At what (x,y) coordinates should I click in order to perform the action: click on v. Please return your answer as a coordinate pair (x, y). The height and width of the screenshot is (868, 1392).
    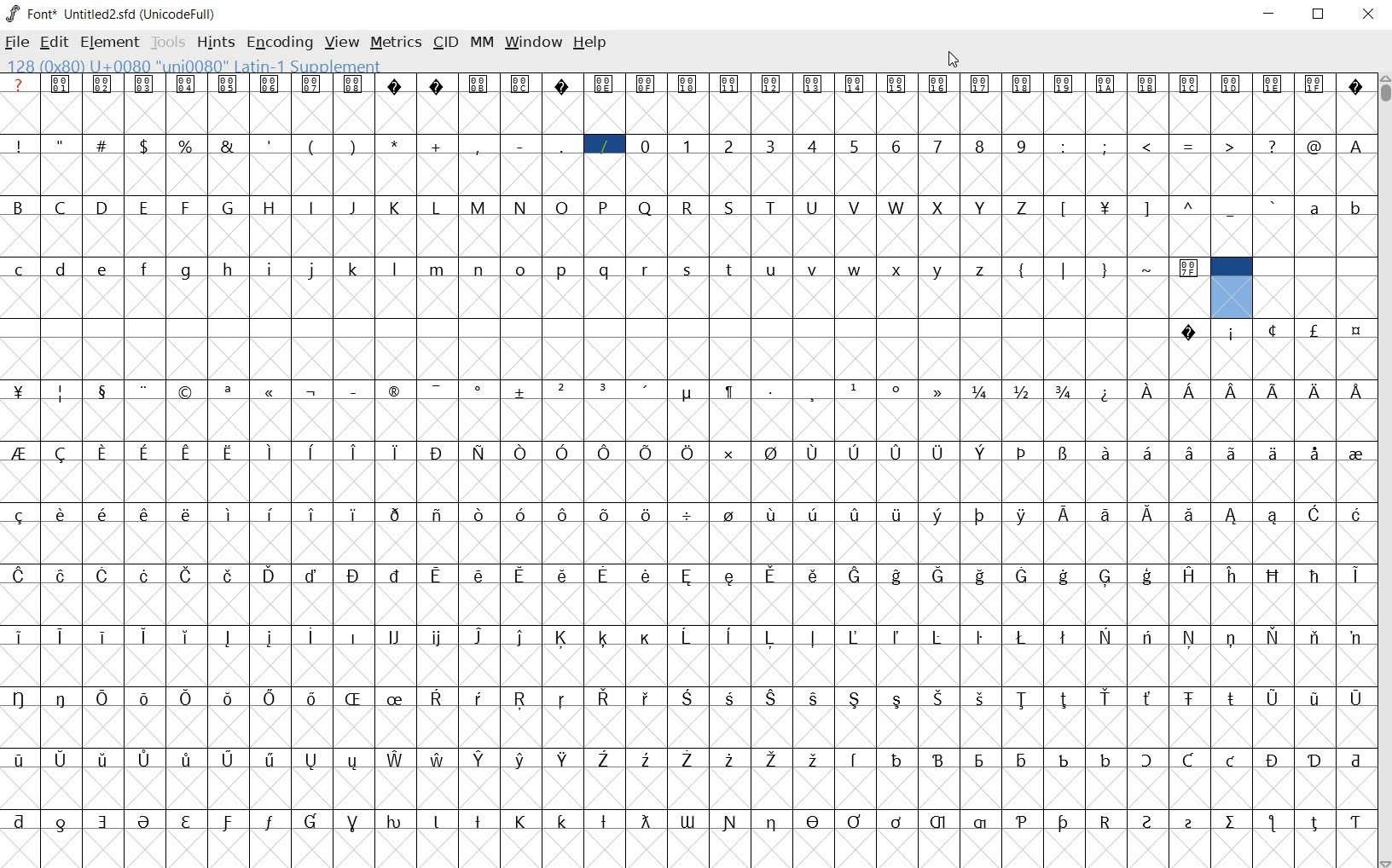
    Looking at the image, I should click on (813, 269).